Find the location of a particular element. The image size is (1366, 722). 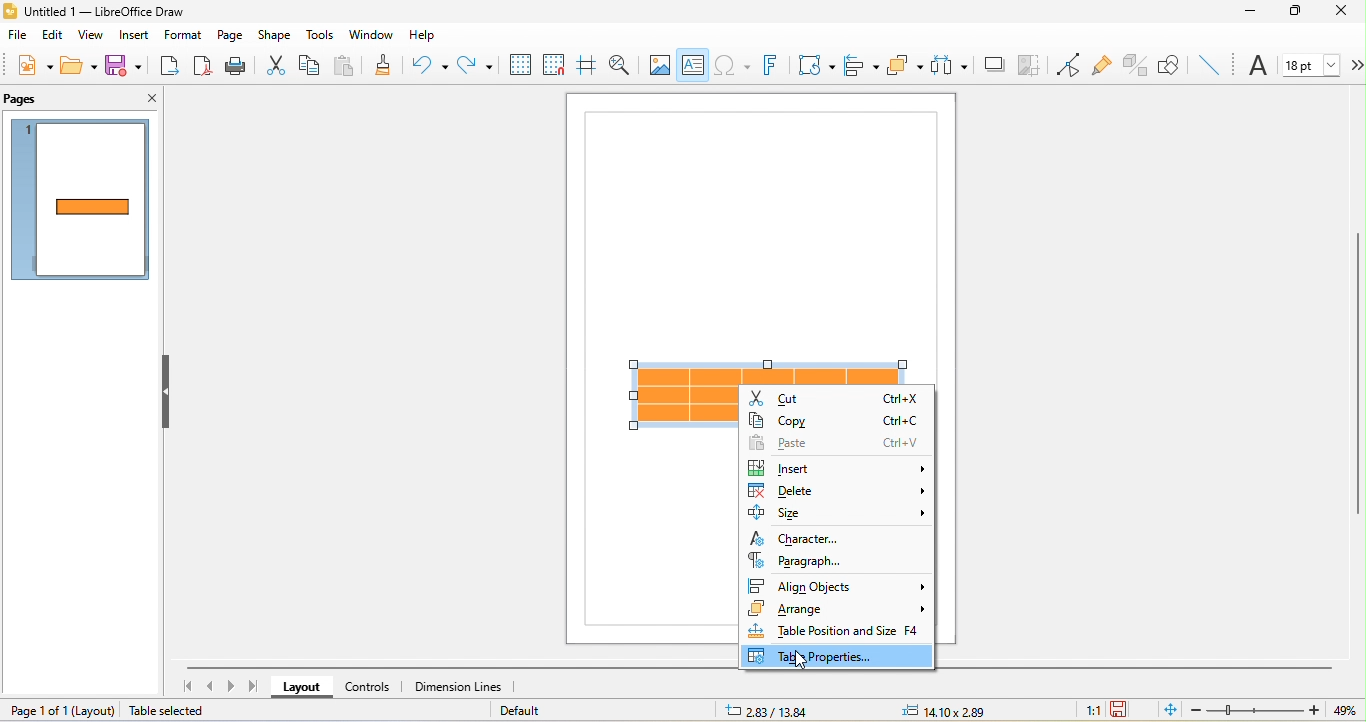

copy is located at coordinates (311, 67).